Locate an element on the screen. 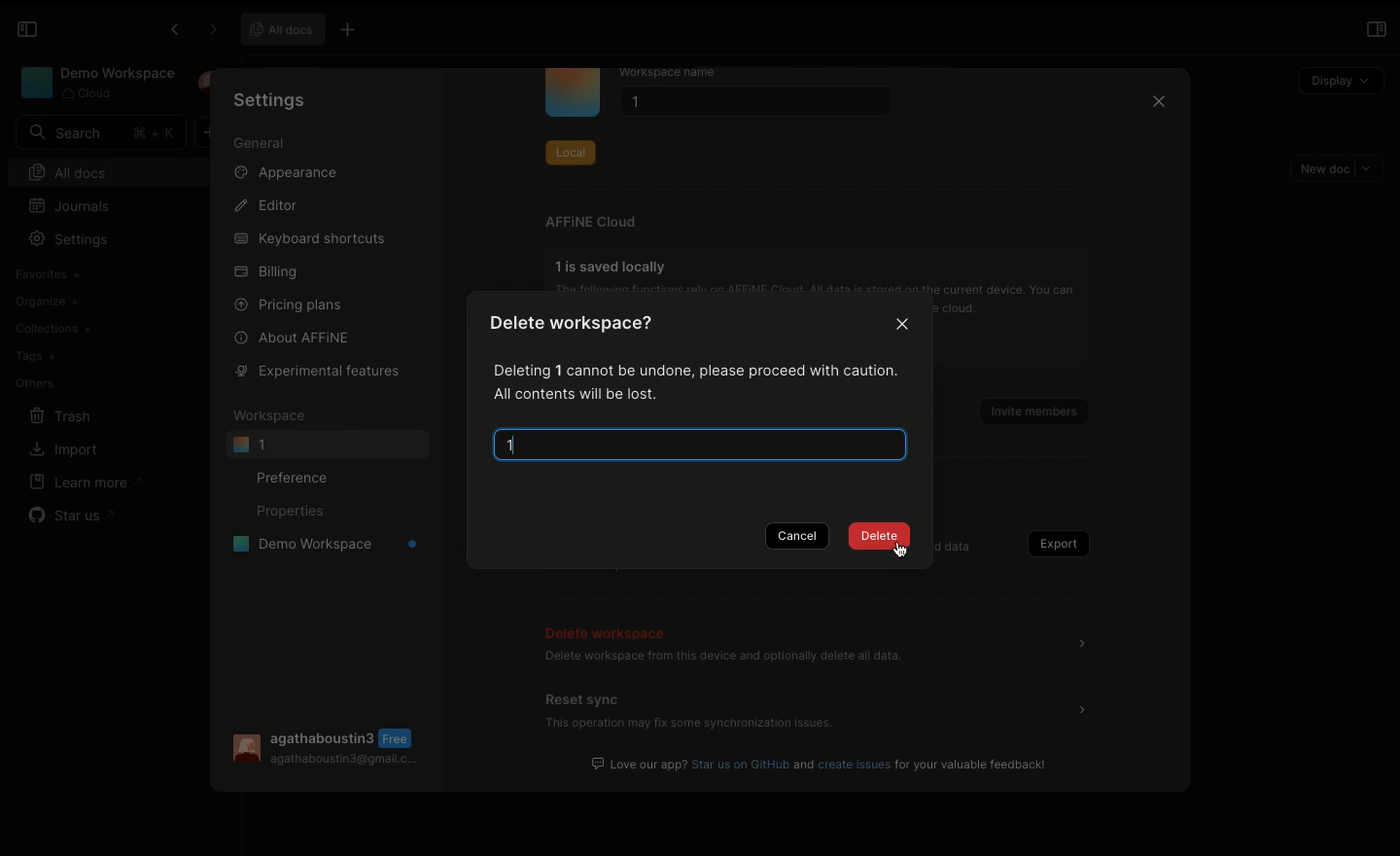 This screenshot has width=1400, height=856. Learn more is located at coordinates (87, 481).